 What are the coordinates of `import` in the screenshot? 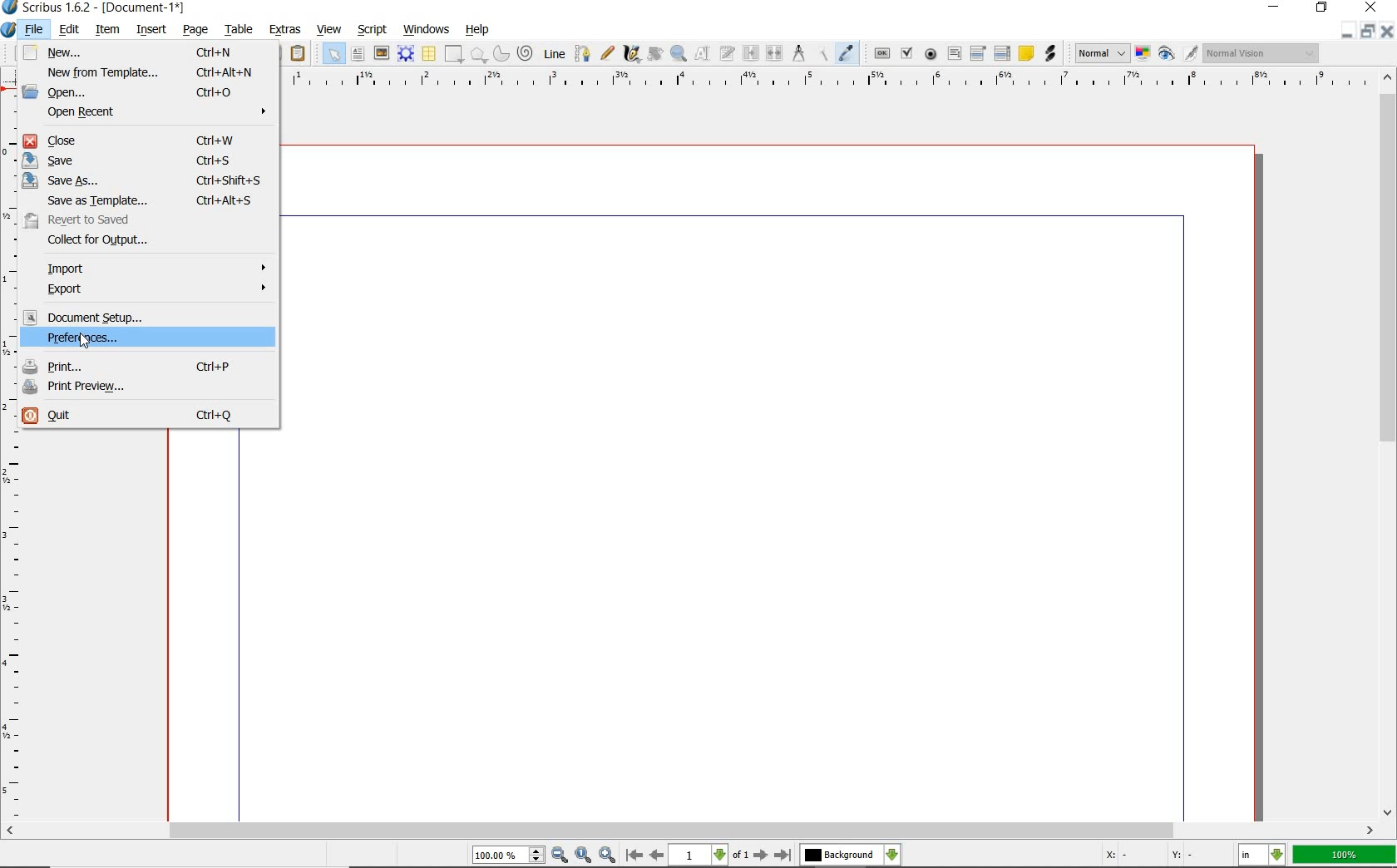 It's located at (158, 267).